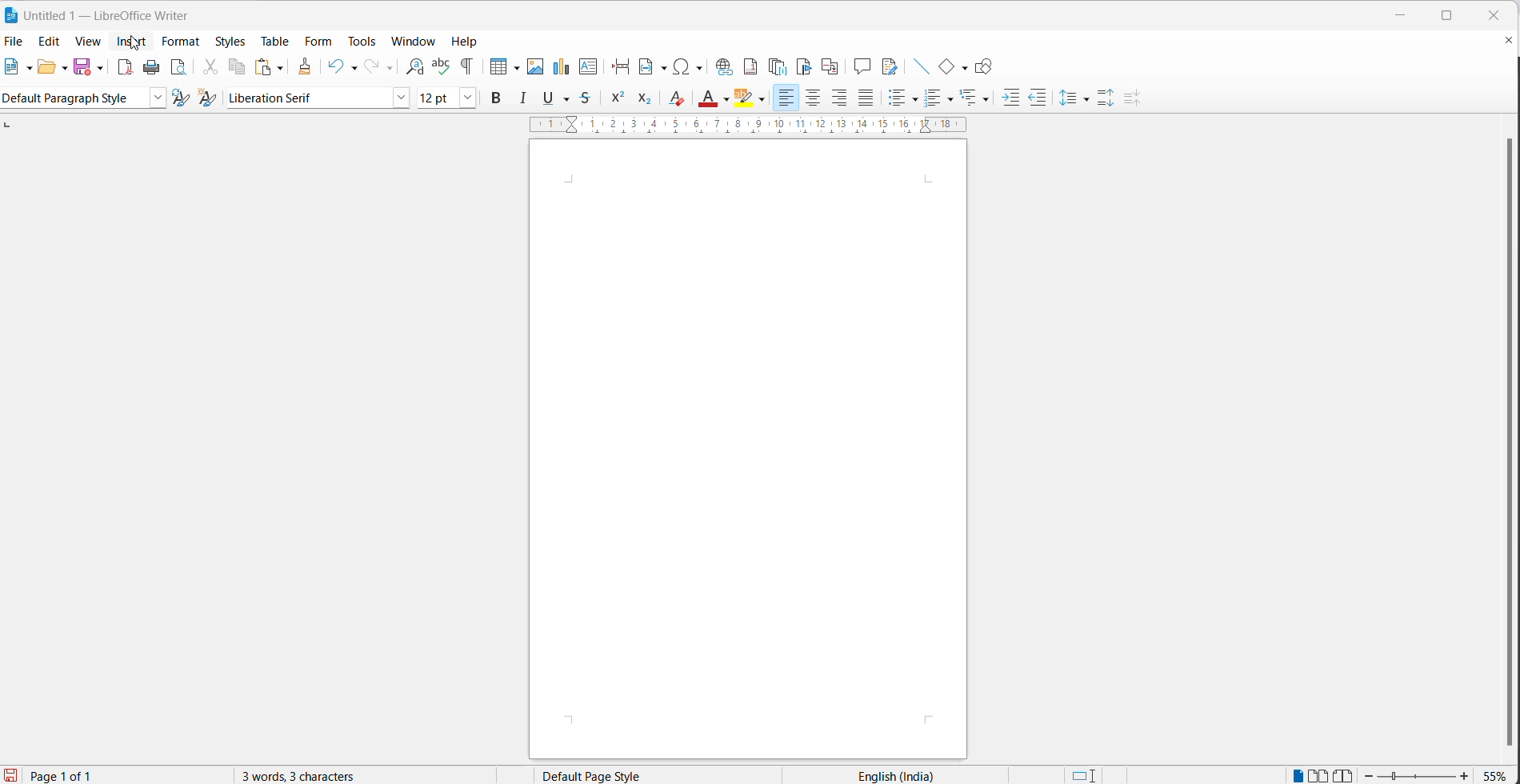 This screenshot has height=784, width=1520. Describe the element at coordinates (569, 98) in the screenshot. I see `strike through` at that location.